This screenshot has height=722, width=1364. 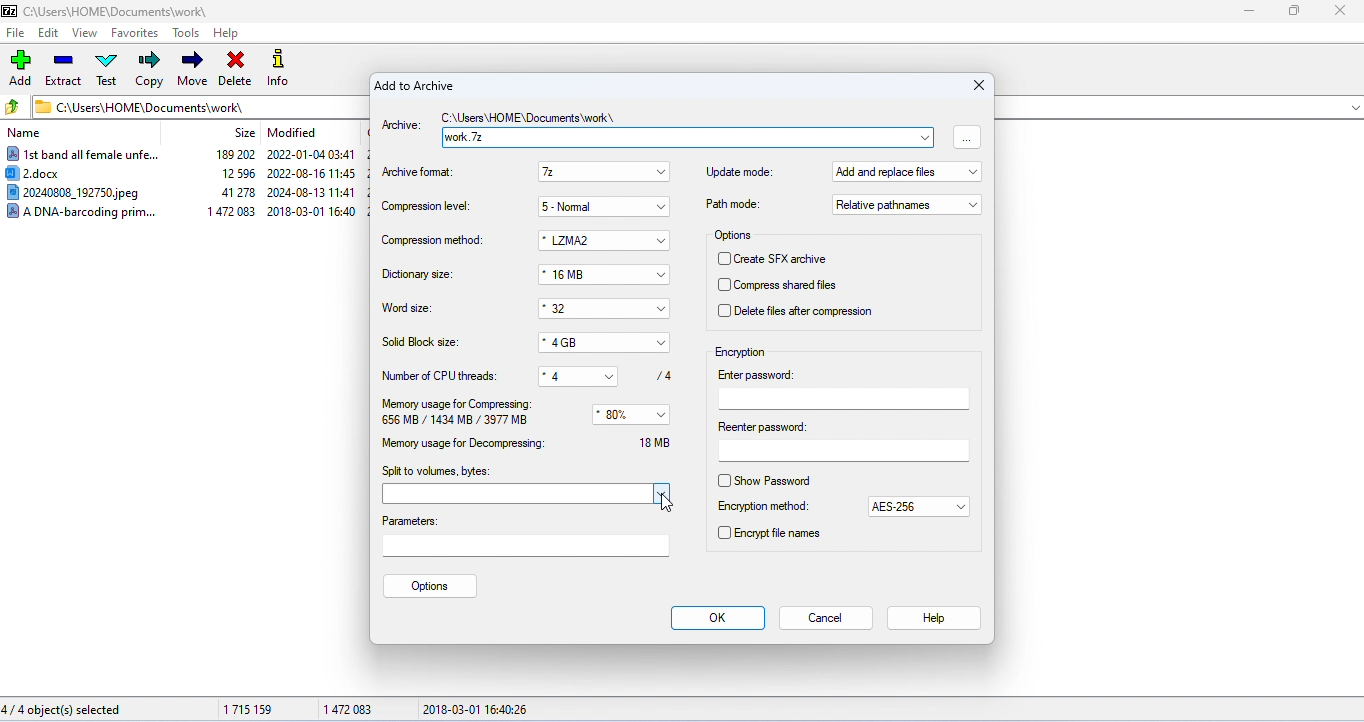 I want to click on minimize, so click(x=1247, y=12).